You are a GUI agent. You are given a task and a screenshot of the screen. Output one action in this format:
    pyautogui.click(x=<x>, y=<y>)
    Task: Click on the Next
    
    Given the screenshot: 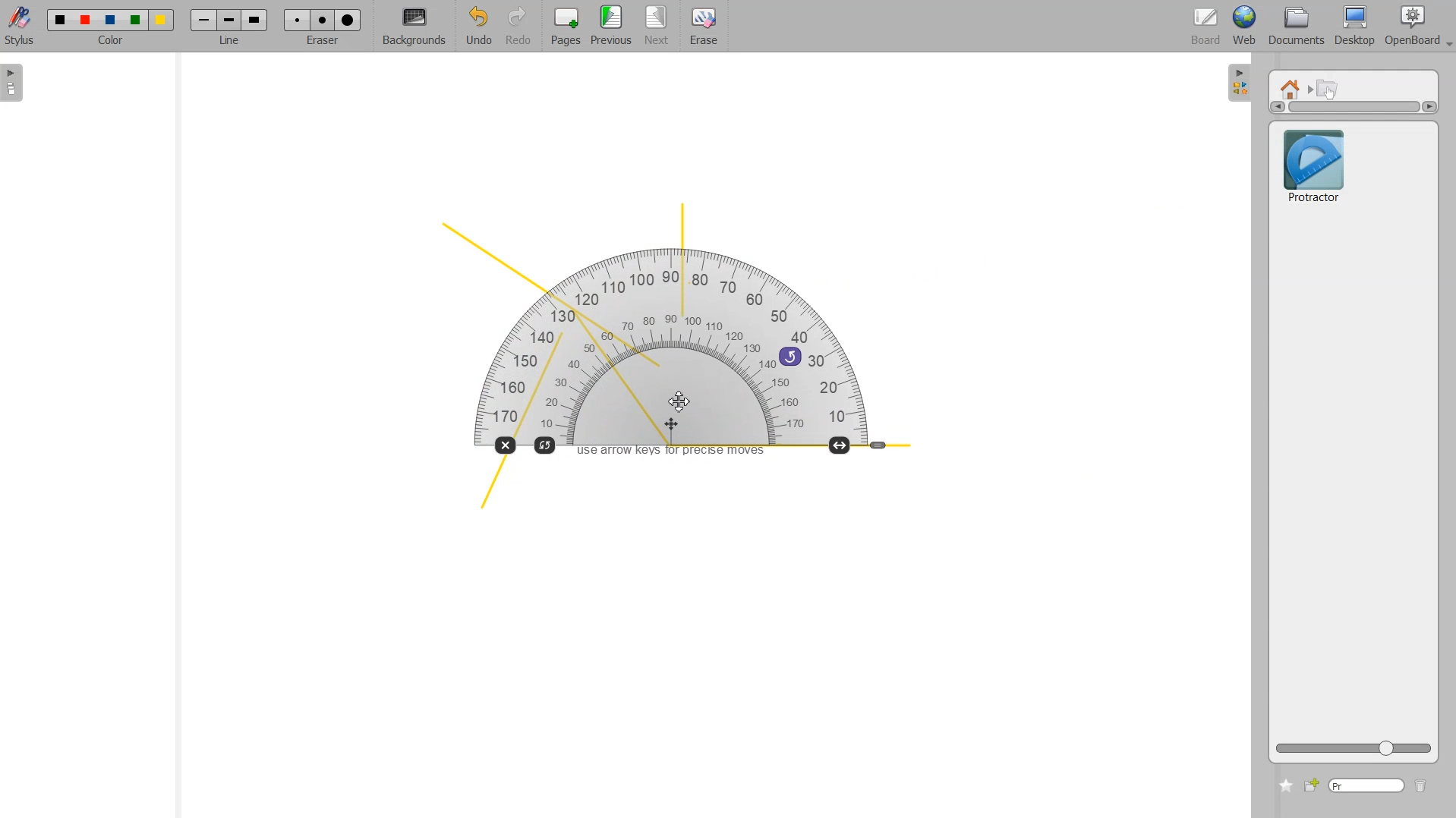 What is the action you would take?
    pyautogui.click(x=658, y=27)
    